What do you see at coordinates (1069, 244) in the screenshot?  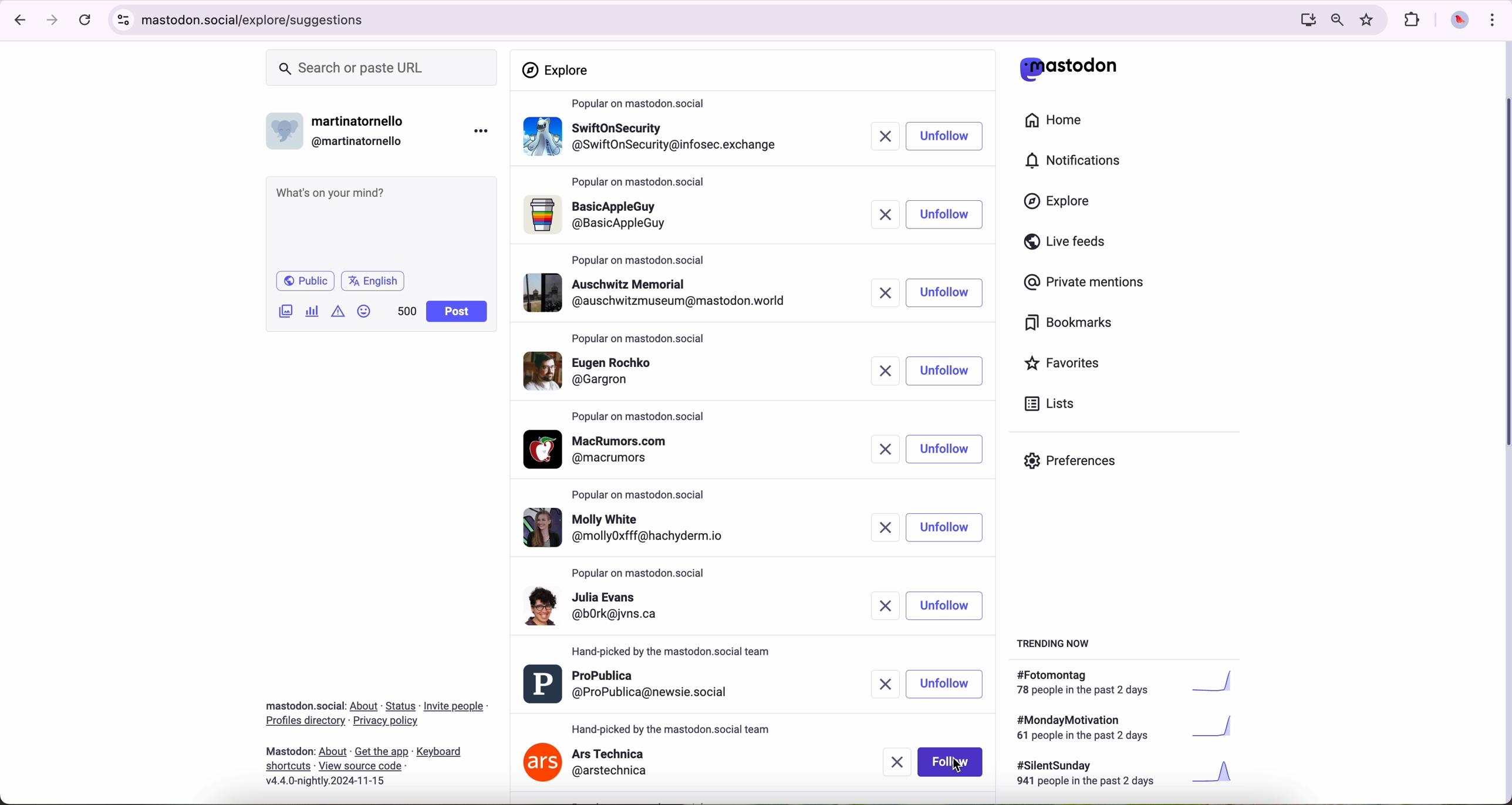 I see `live feeds` at bounding box center [1069, 244].